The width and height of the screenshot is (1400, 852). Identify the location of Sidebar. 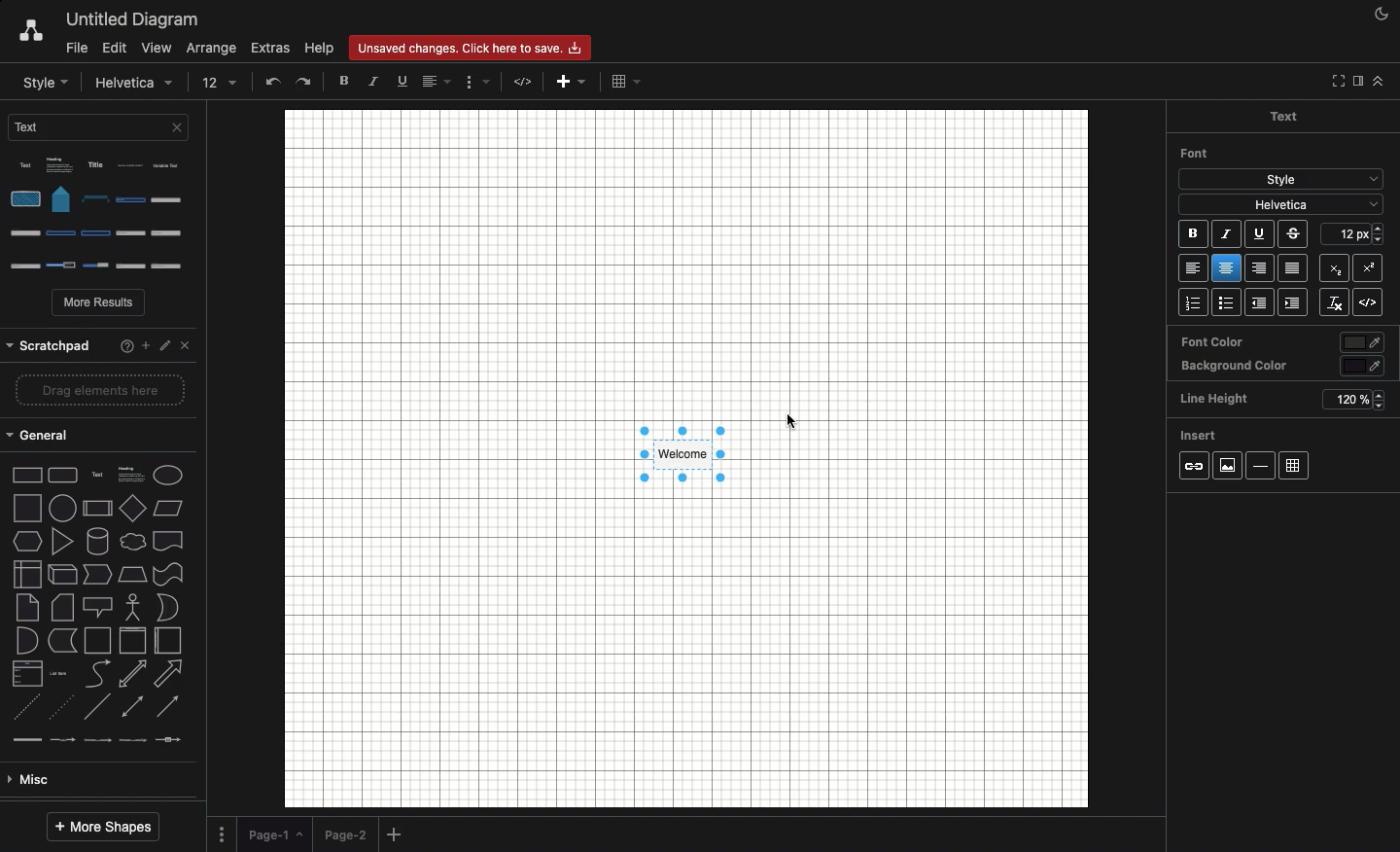
(1355, 82).